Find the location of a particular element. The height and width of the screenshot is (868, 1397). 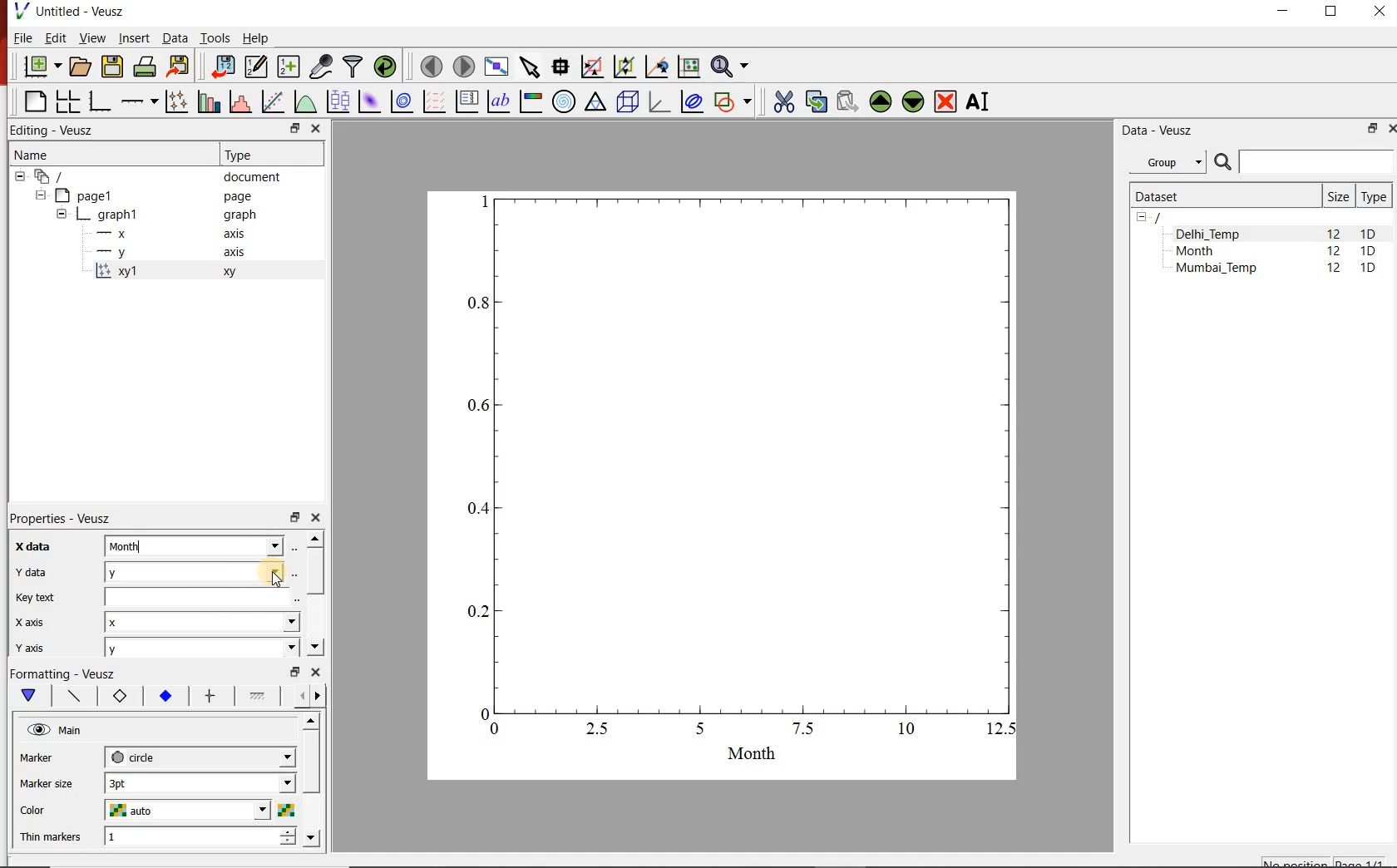

move to the next page is located at coordinates (464, 67).